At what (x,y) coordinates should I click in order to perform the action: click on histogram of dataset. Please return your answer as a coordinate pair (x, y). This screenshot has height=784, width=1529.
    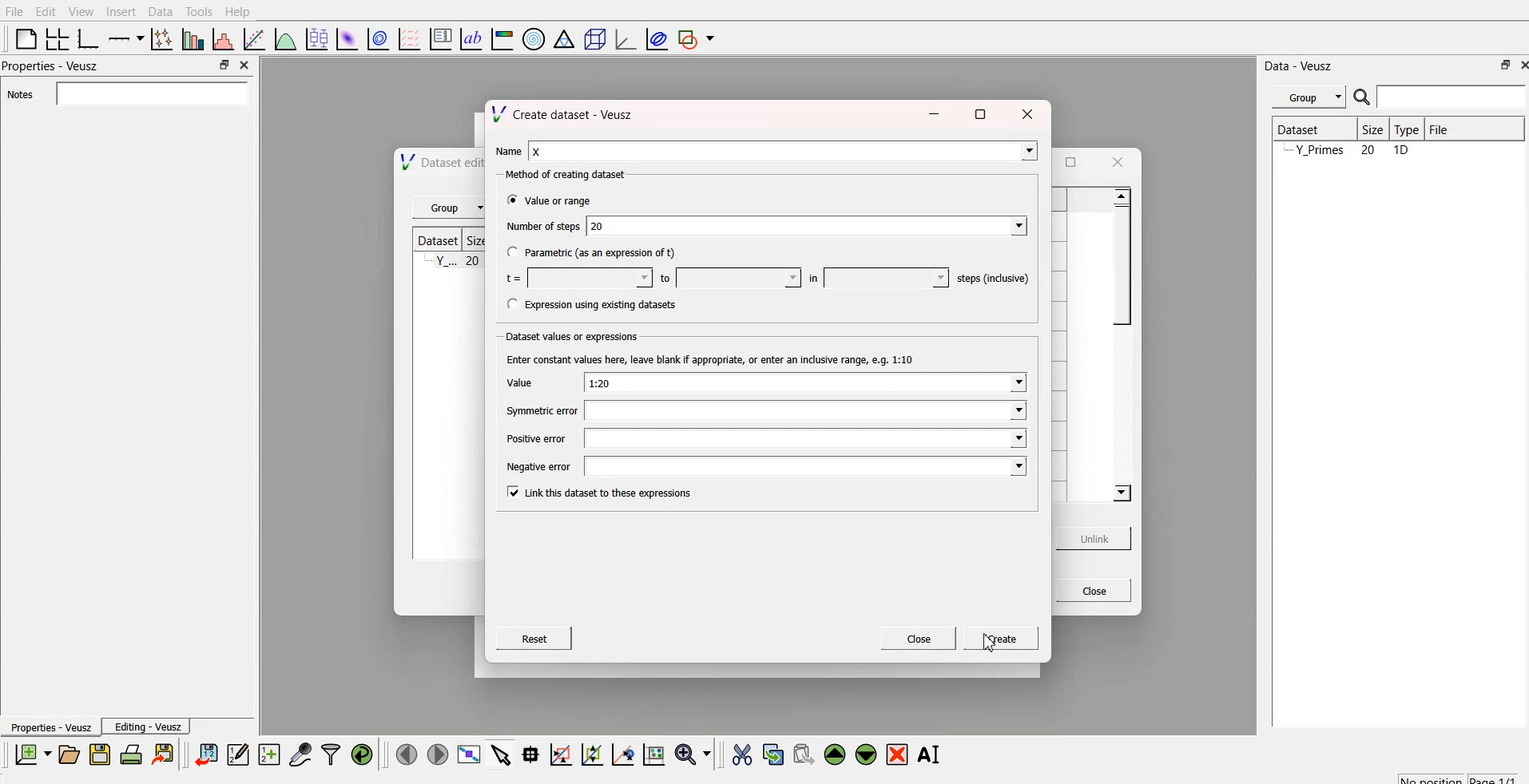
    Looking at the image, I should click on (222, 40).